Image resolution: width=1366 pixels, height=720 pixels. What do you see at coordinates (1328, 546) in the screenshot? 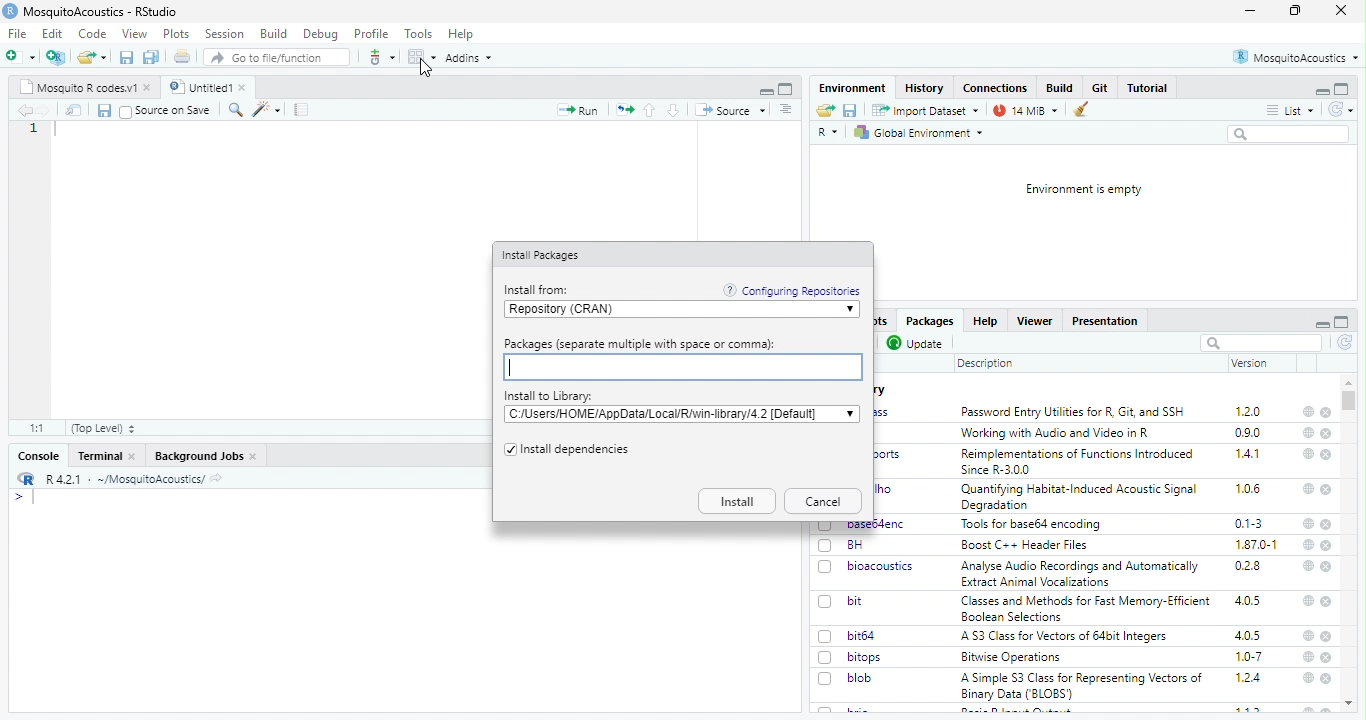
I see `close` at bounding box center [1328, 546].